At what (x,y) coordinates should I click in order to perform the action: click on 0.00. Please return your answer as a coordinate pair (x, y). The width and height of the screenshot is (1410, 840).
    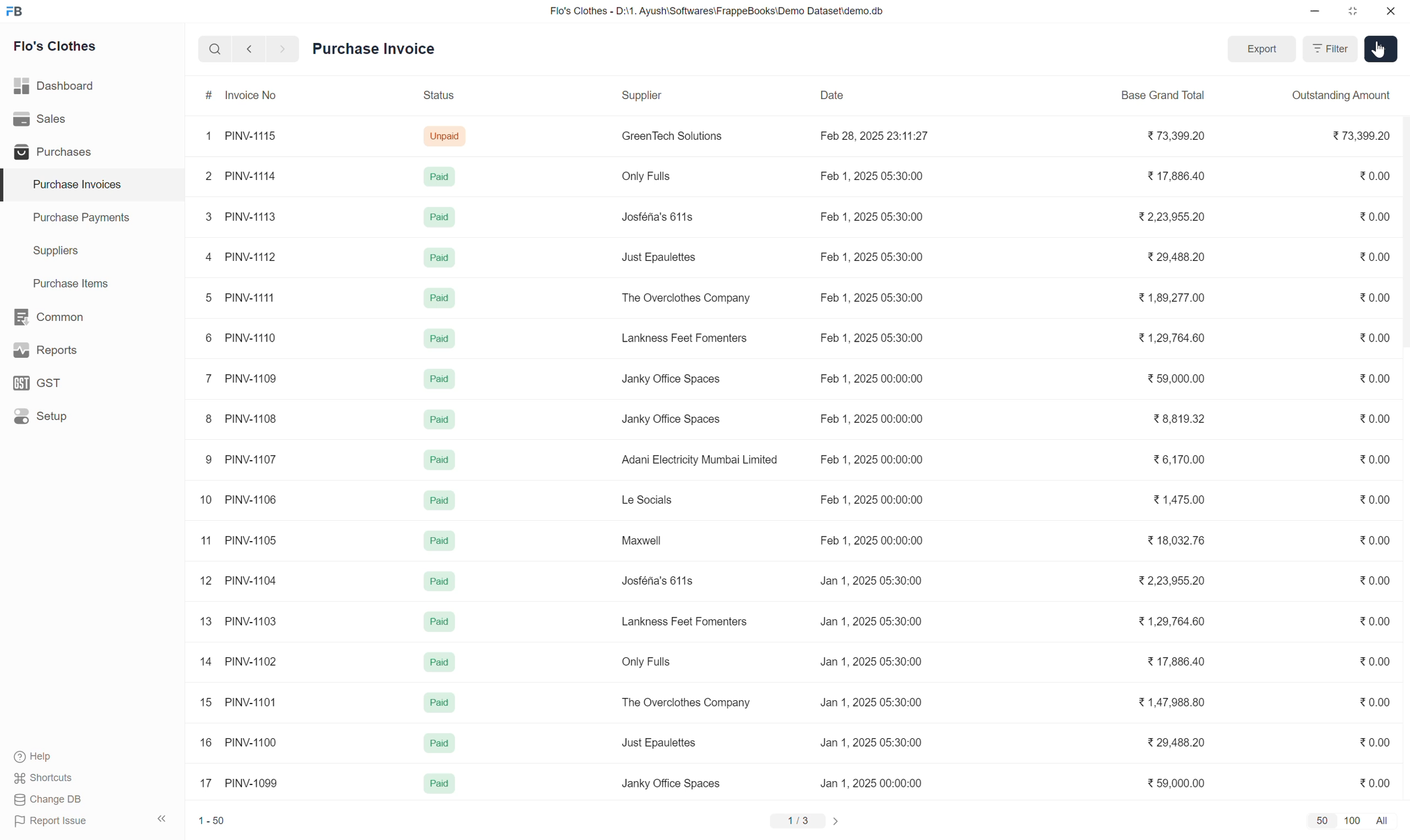
    Looking at the image, I should click on (1375, 539).